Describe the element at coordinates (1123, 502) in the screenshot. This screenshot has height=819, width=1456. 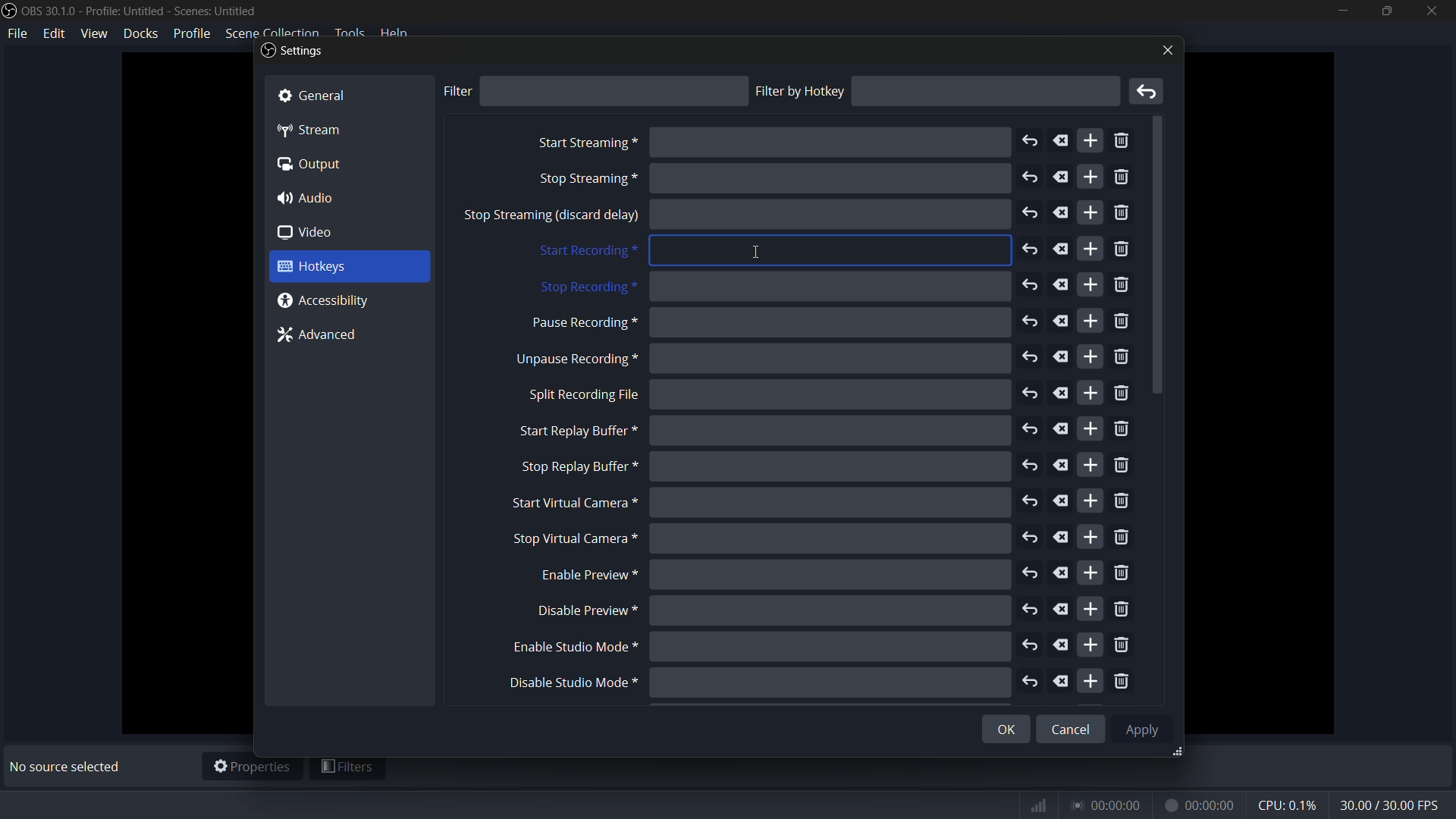
I see `remove` at that location.